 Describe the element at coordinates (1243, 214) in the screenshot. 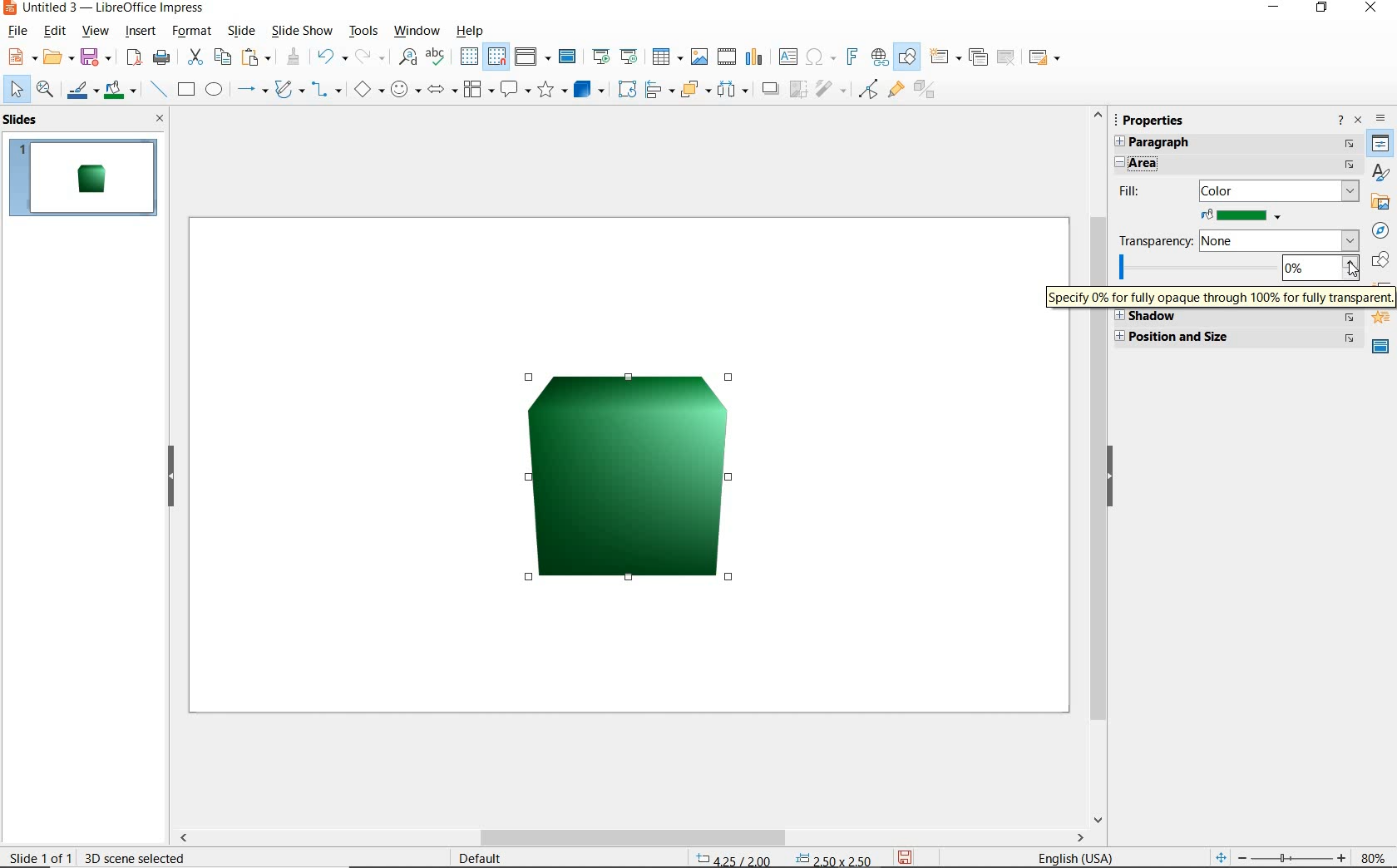

I see `FILL COLOR` at that location.